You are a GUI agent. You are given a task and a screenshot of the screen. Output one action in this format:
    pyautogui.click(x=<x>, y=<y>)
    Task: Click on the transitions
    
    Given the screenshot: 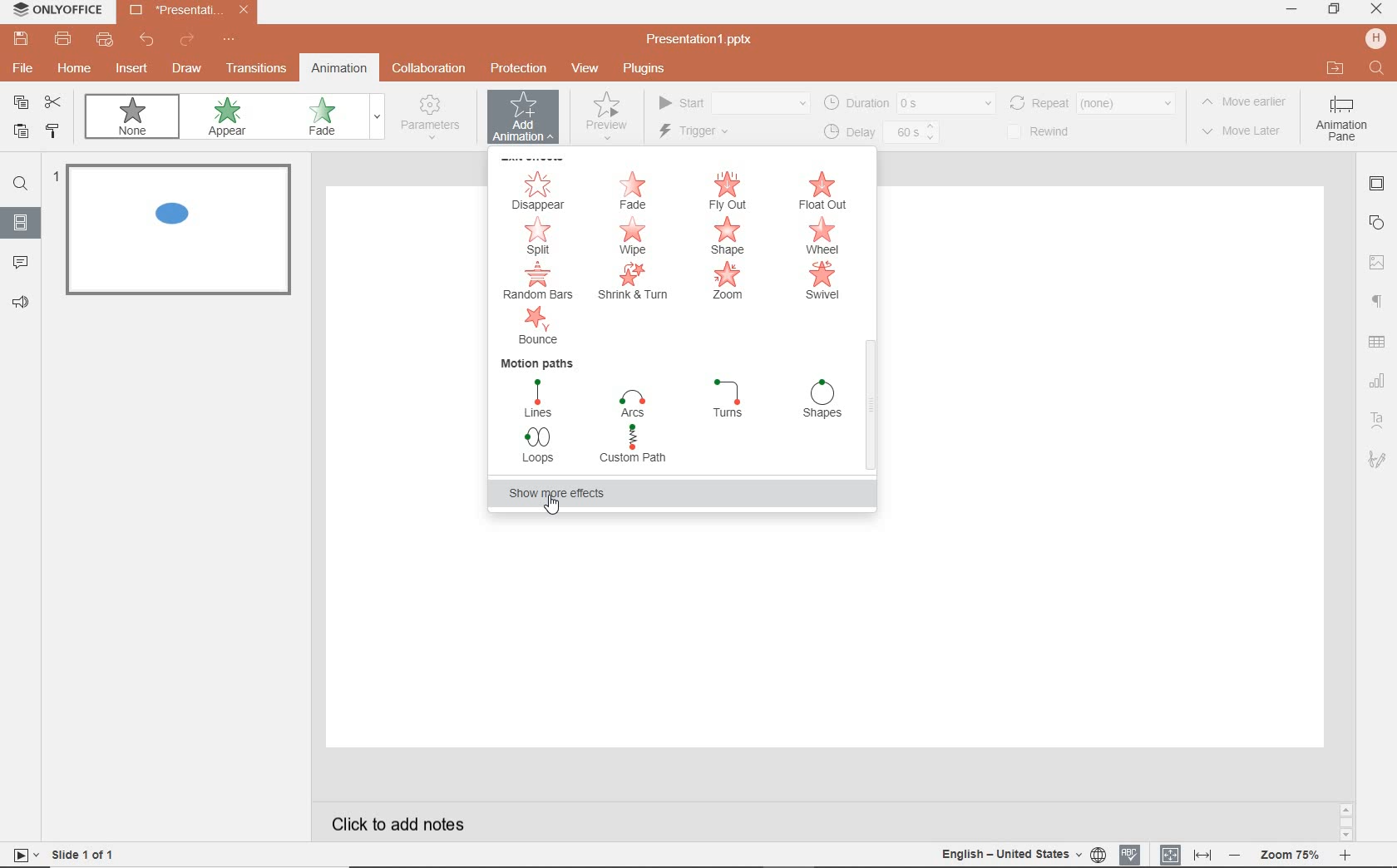 What is the action you would take?
    pyautogui.click(x=256, y=70)
    